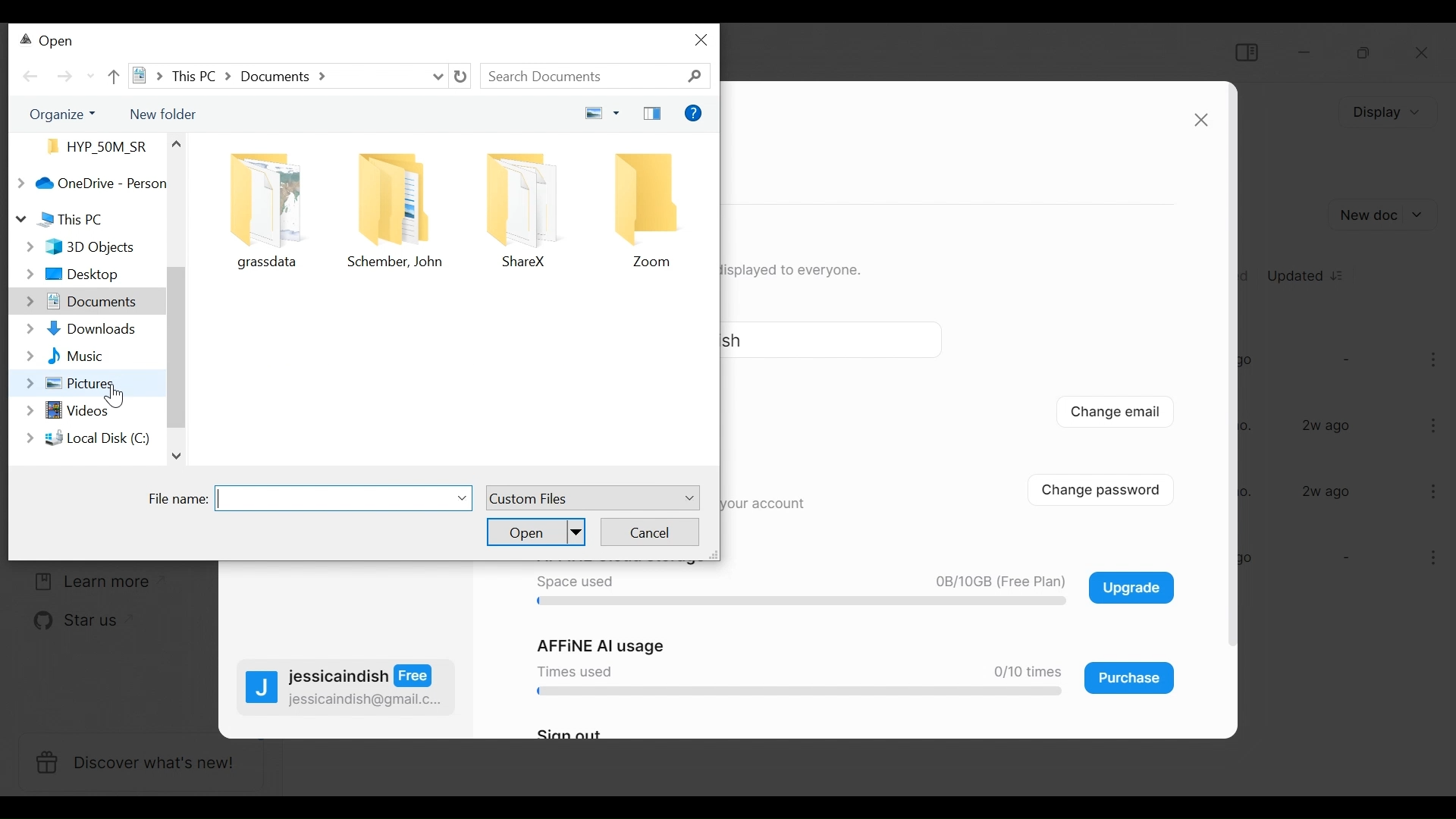  What do you see at coordinates (597, 77) in the screenshot?
I see `Search Documents` at bounding box center [597, 77].